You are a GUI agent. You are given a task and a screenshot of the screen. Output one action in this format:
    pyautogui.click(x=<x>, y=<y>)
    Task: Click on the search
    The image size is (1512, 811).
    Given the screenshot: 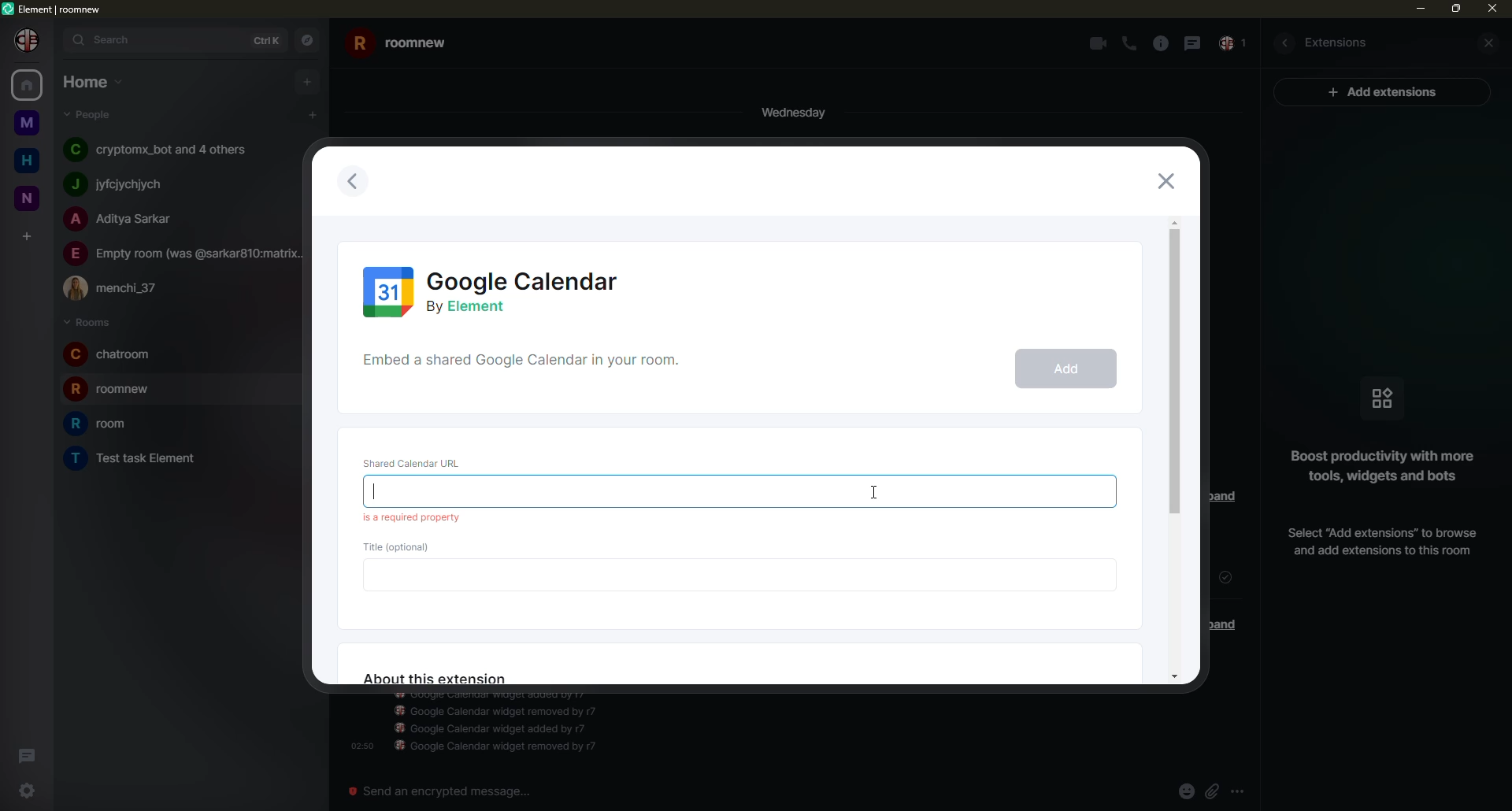 What is the action you would take?
    pyautogui.click(x=106, y=42)
    